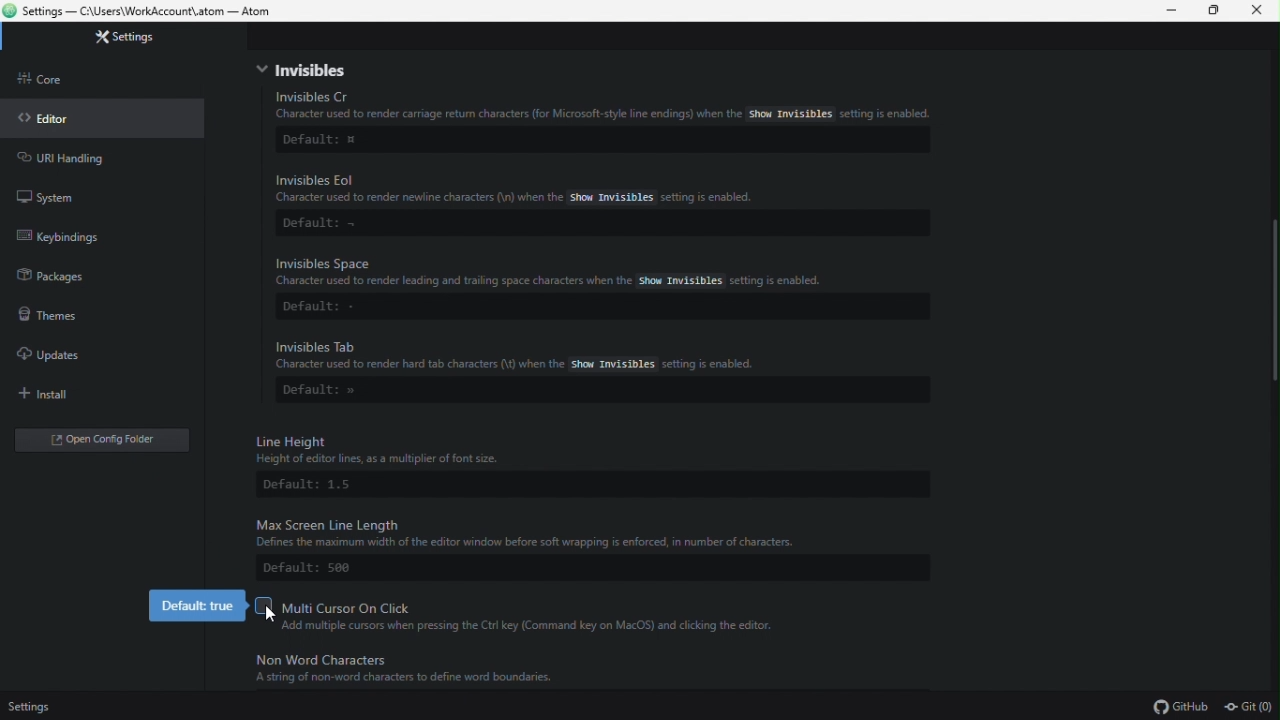  I want to click on Close, so click(1262, 15).